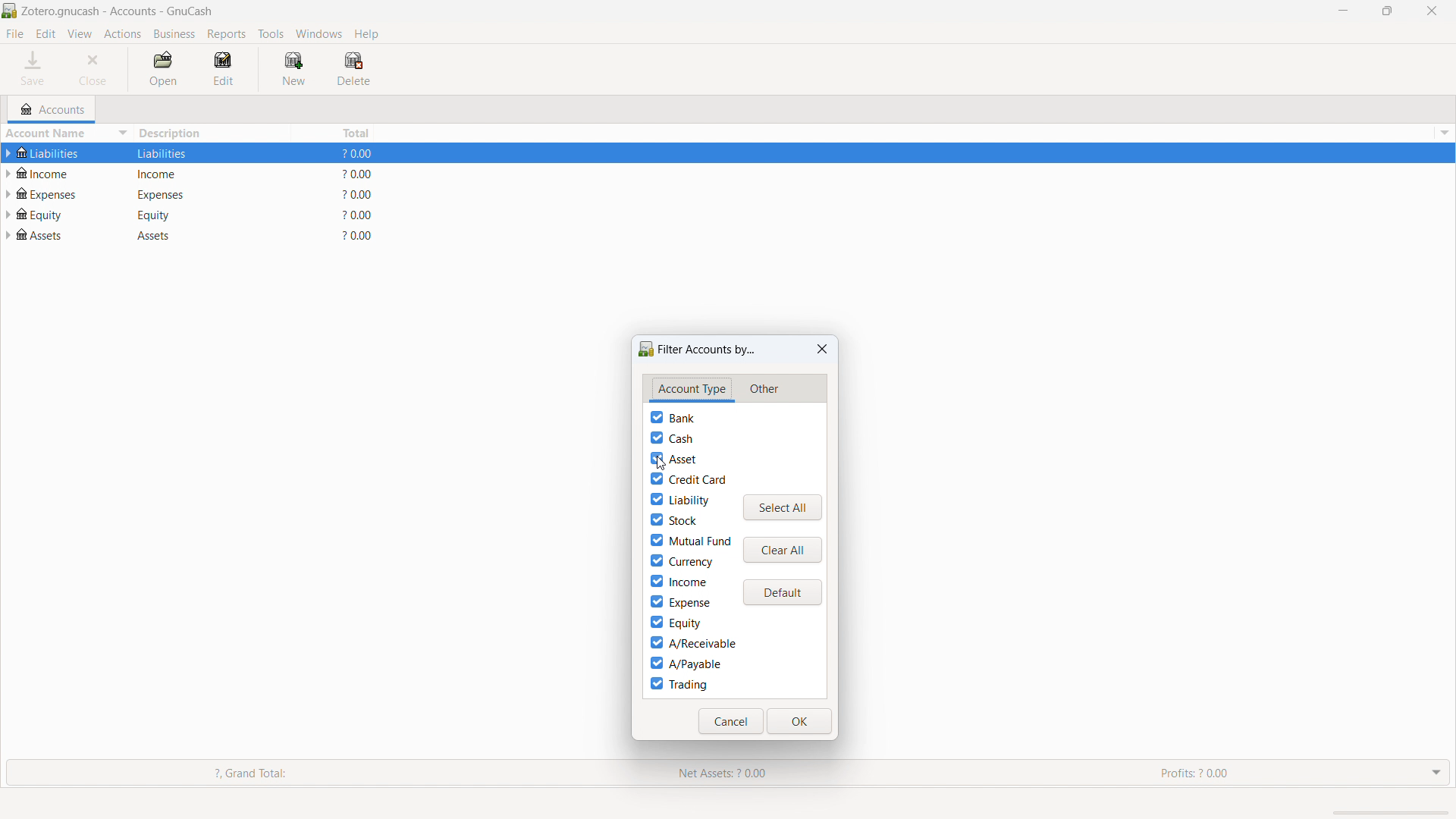 The width and height of the screenshot is (1456, 819). What do you see at coordinates (1442, 133) in the screenshot?
I see `options` at bounding box center [1442, 133].